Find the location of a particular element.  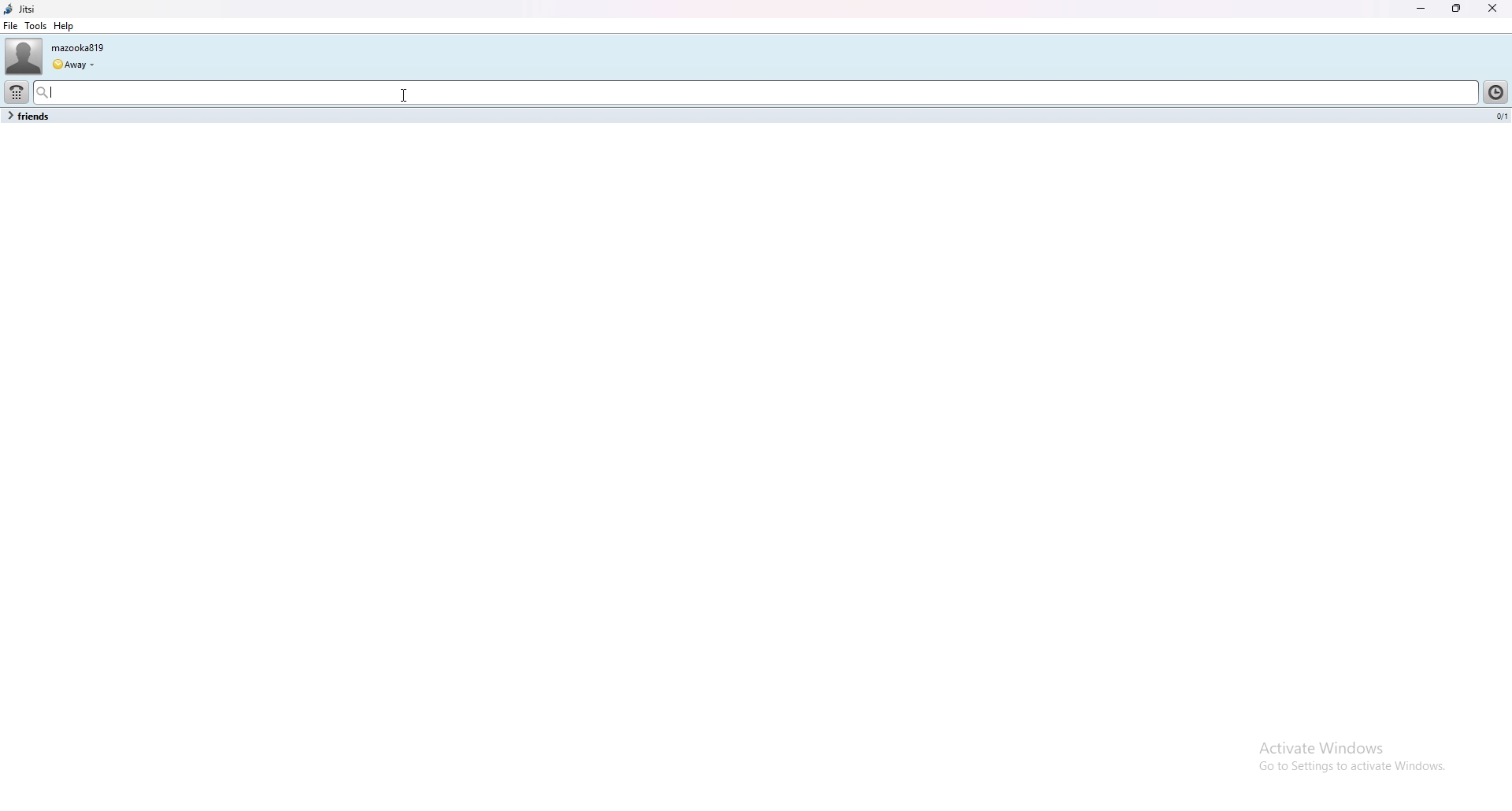

resize is located at coordinates (1458, 9).